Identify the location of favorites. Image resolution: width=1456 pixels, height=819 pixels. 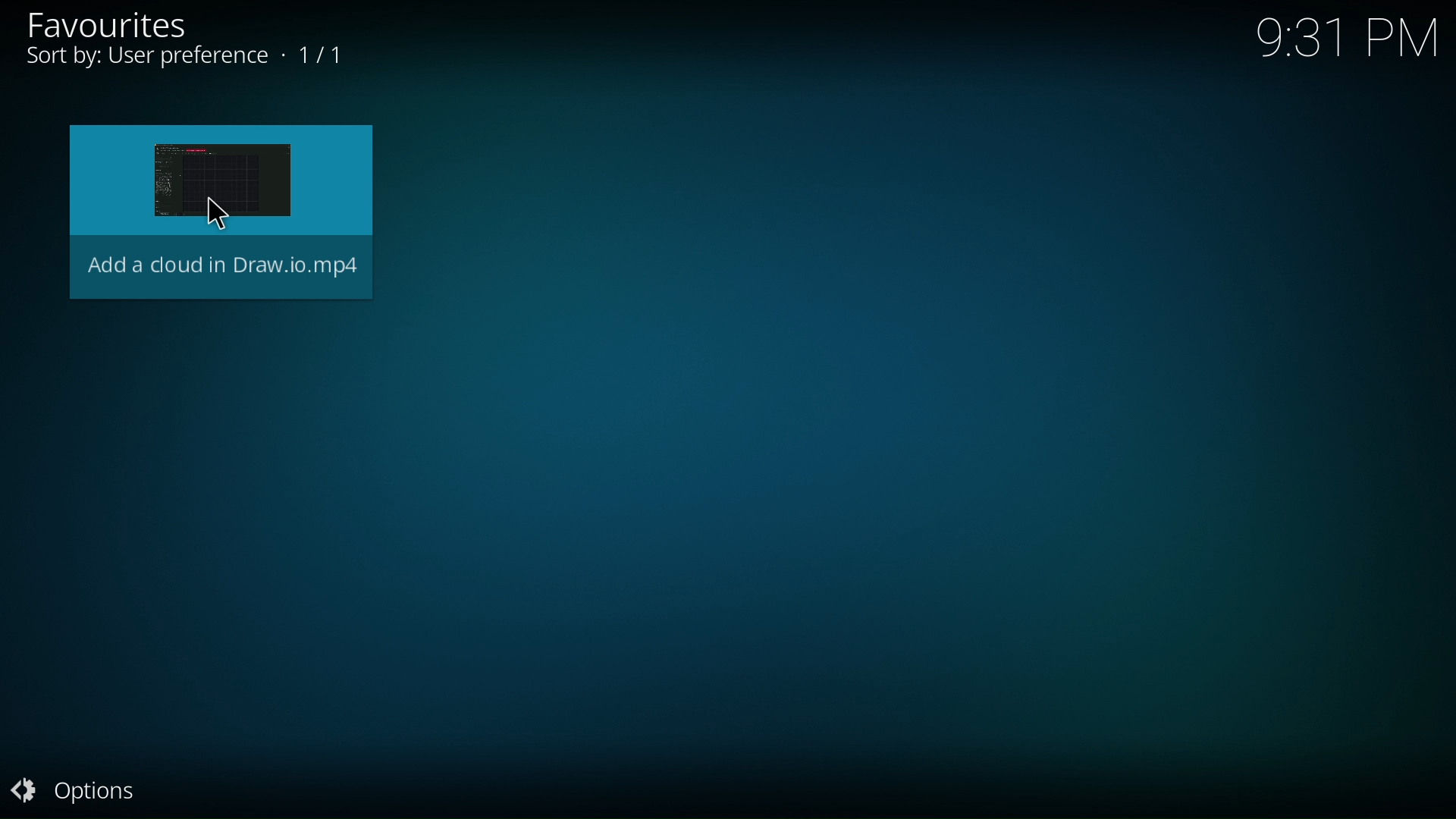
(119, 20).